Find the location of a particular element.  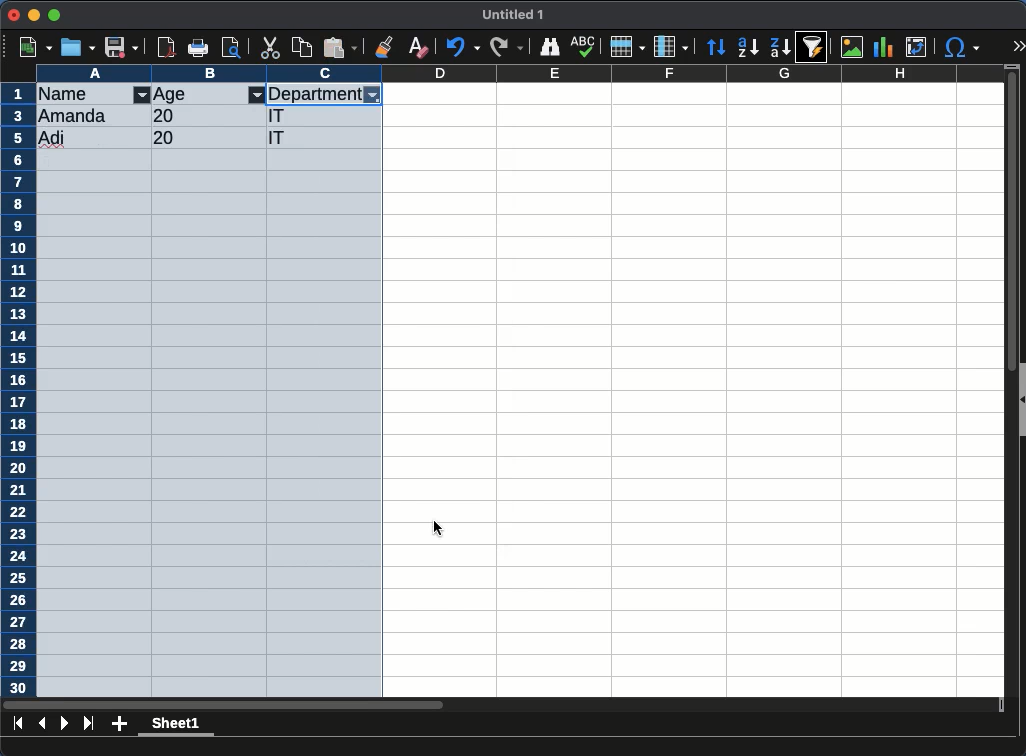

sort is located at coordinates (718, 47).